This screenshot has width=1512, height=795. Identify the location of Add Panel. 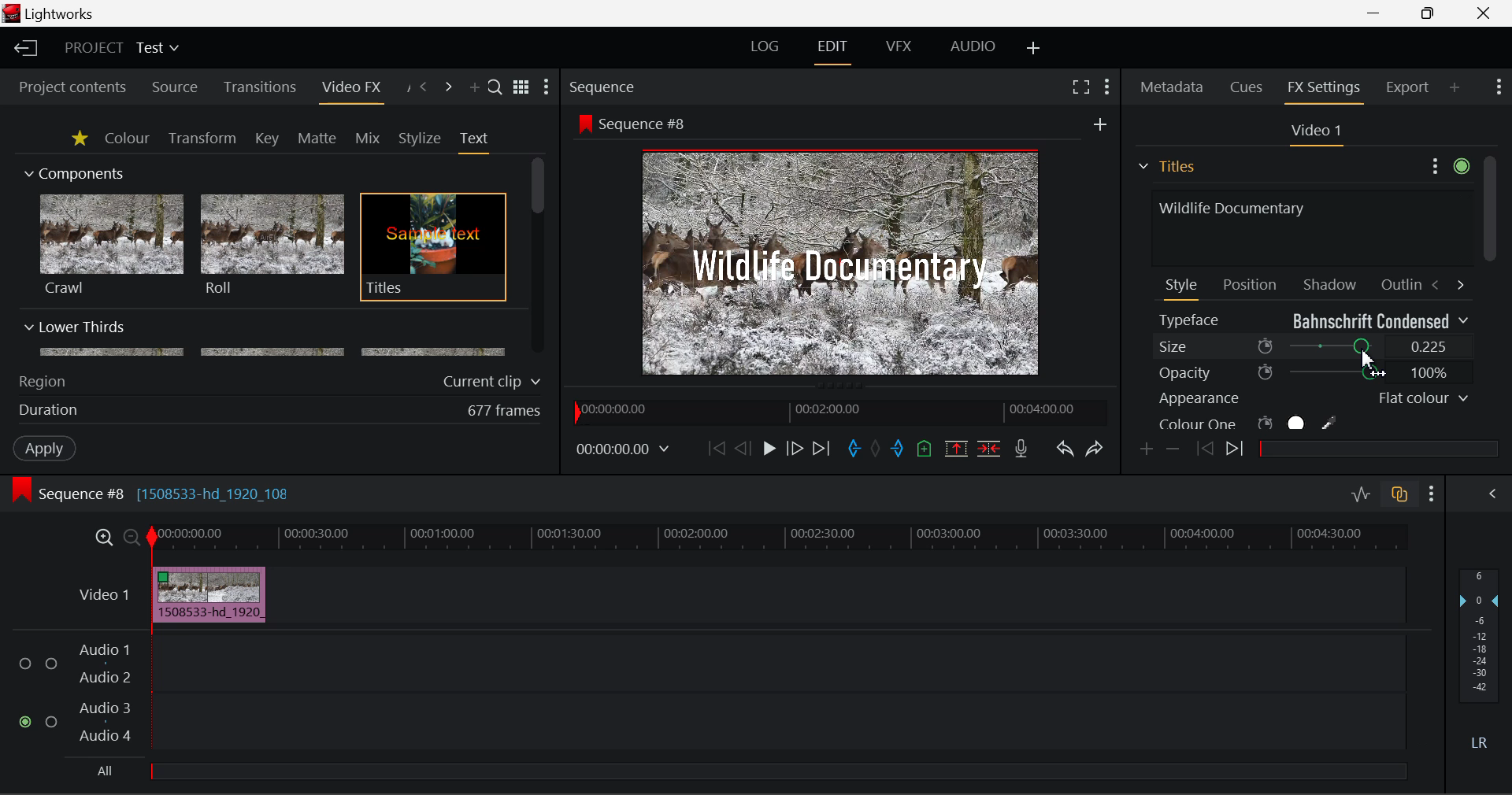
(1455, 87).